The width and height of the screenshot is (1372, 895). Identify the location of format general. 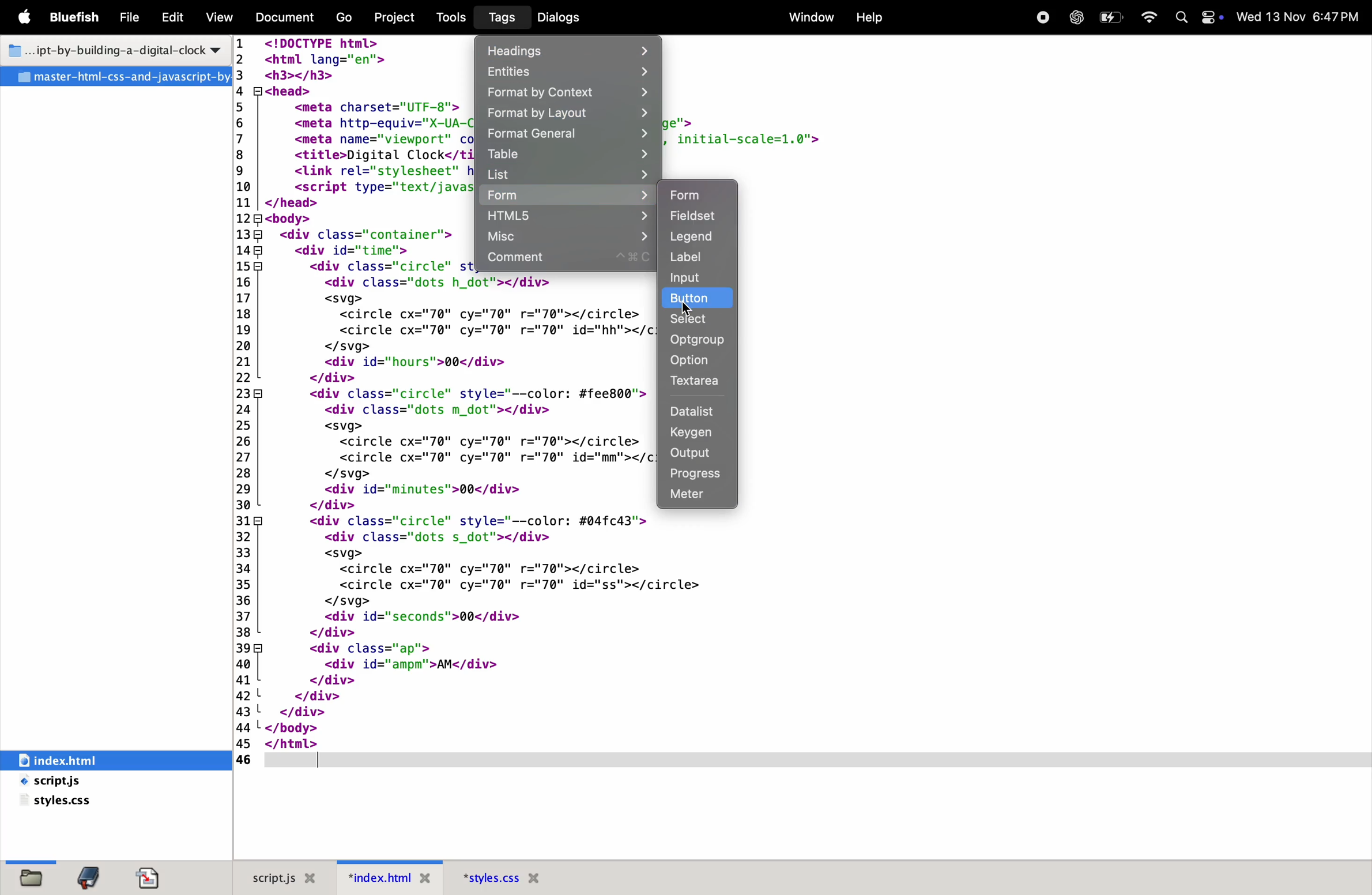
(566, 135).